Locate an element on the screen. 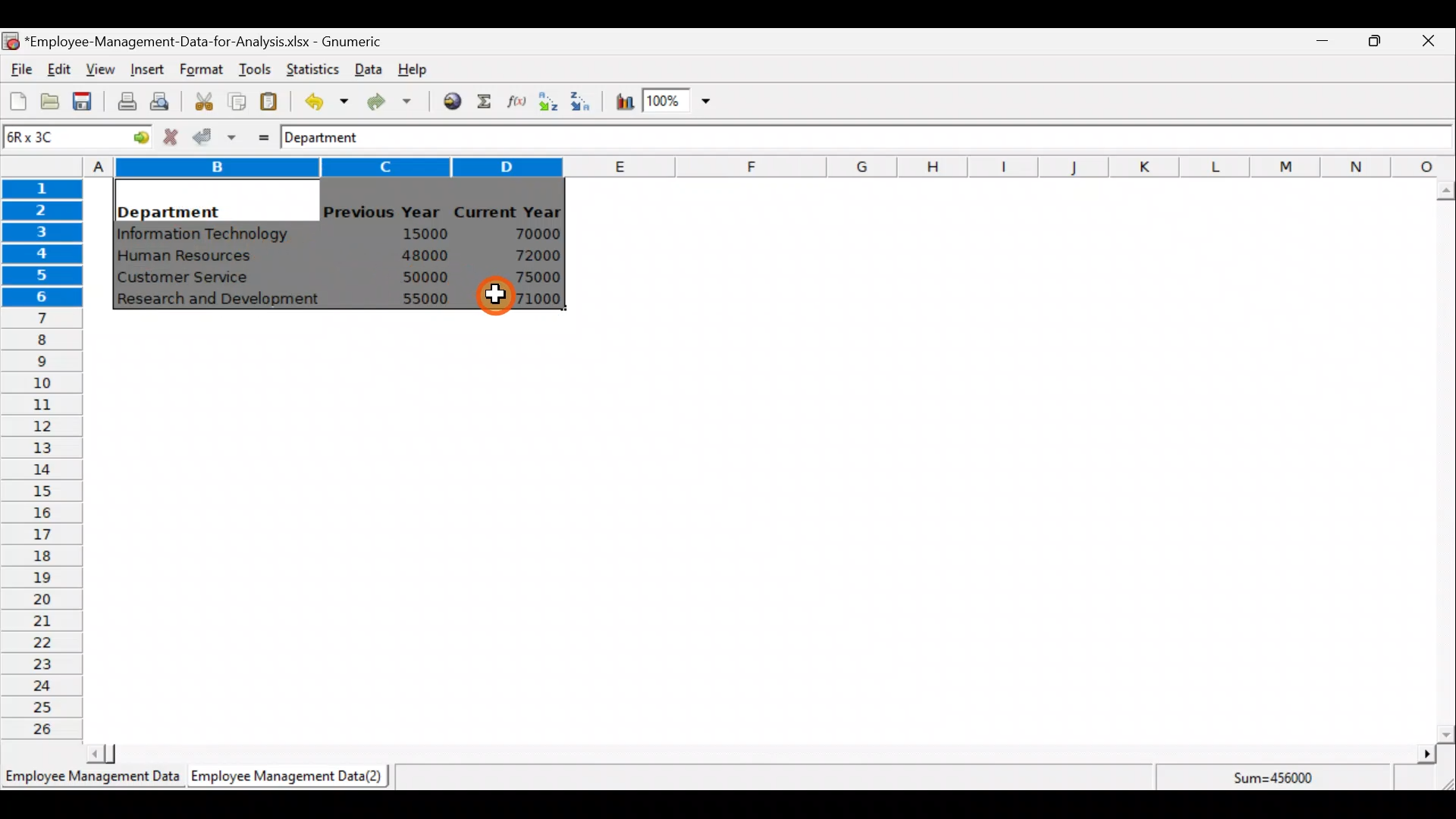  File is located at coordinates (19, 70).